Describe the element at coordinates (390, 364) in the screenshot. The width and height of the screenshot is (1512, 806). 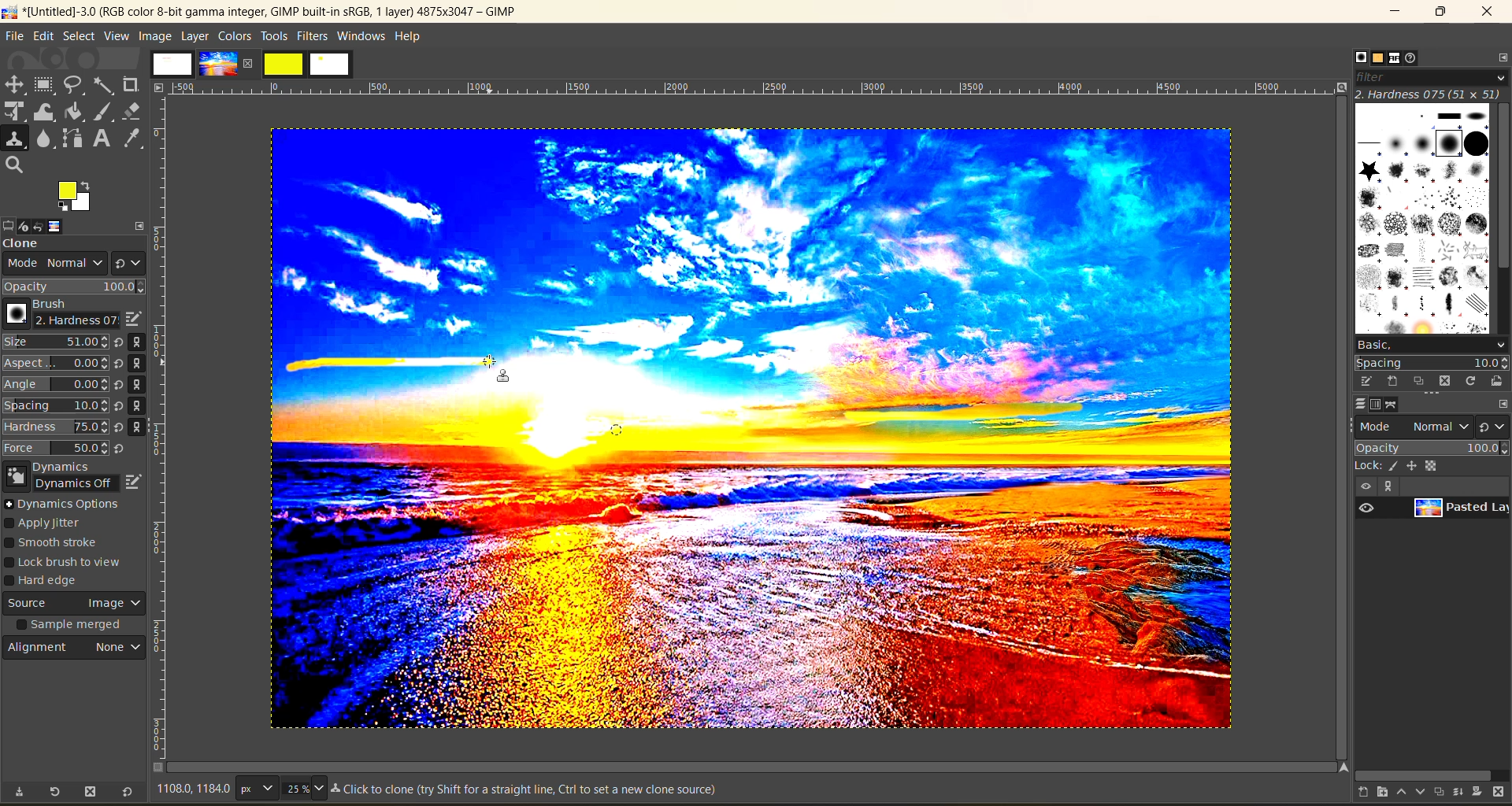
I see `cloned area` at that location.